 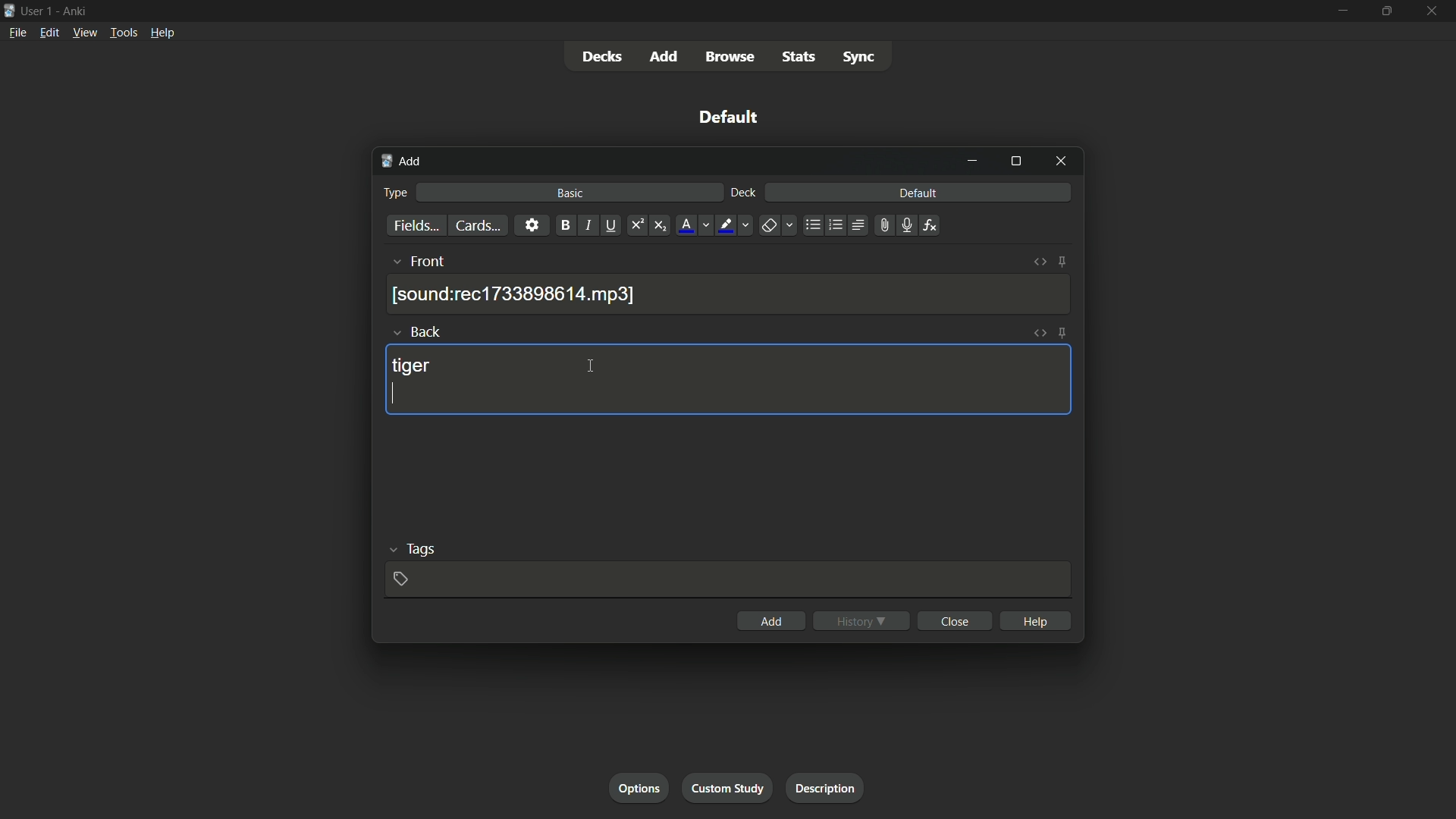 What do you see at coordinates (954, 621) in the screenshot?
I see `close` at bounding box center [954, 621].